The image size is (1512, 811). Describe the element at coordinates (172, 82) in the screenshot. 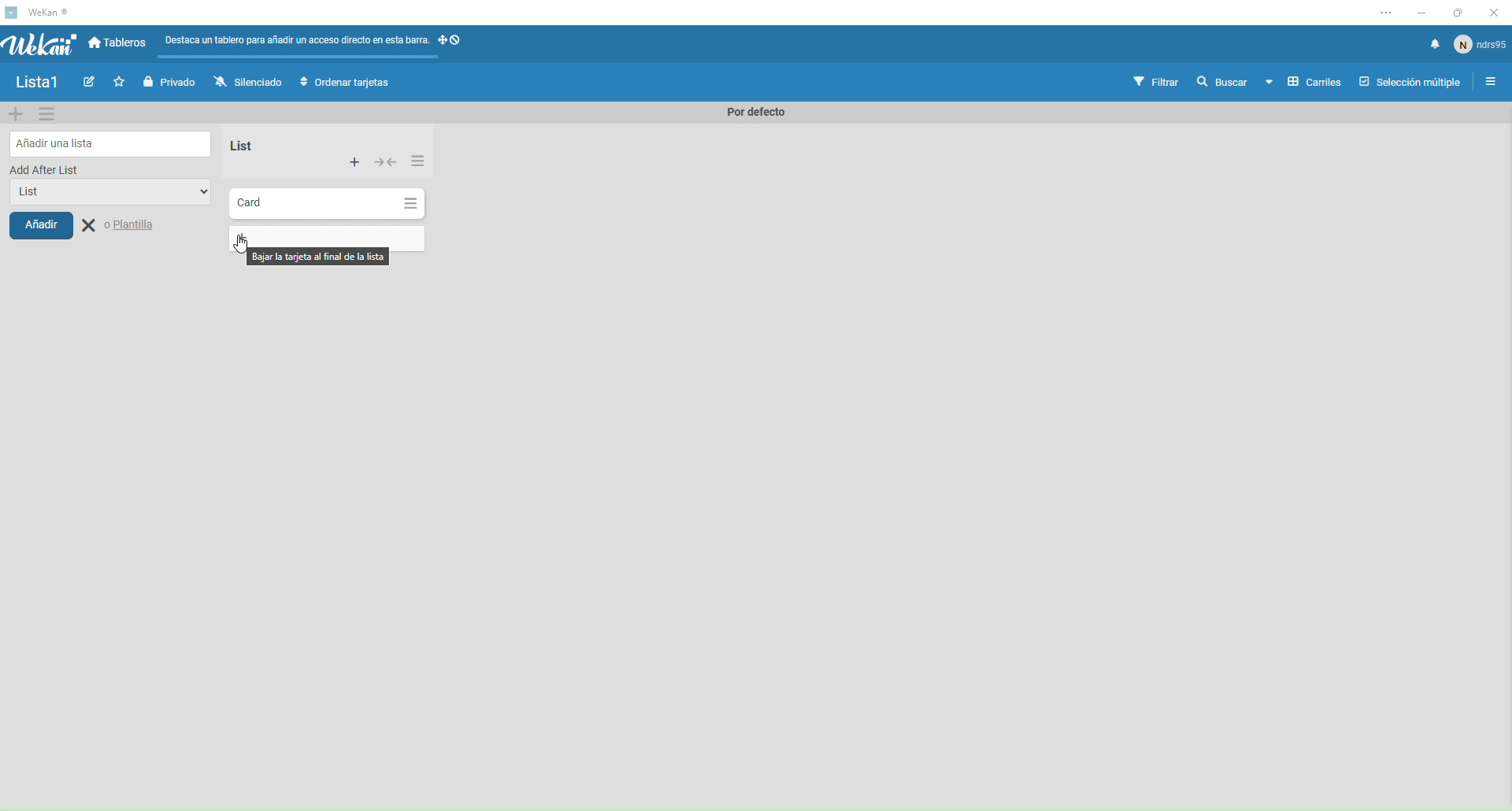

I see `Private` at that location.